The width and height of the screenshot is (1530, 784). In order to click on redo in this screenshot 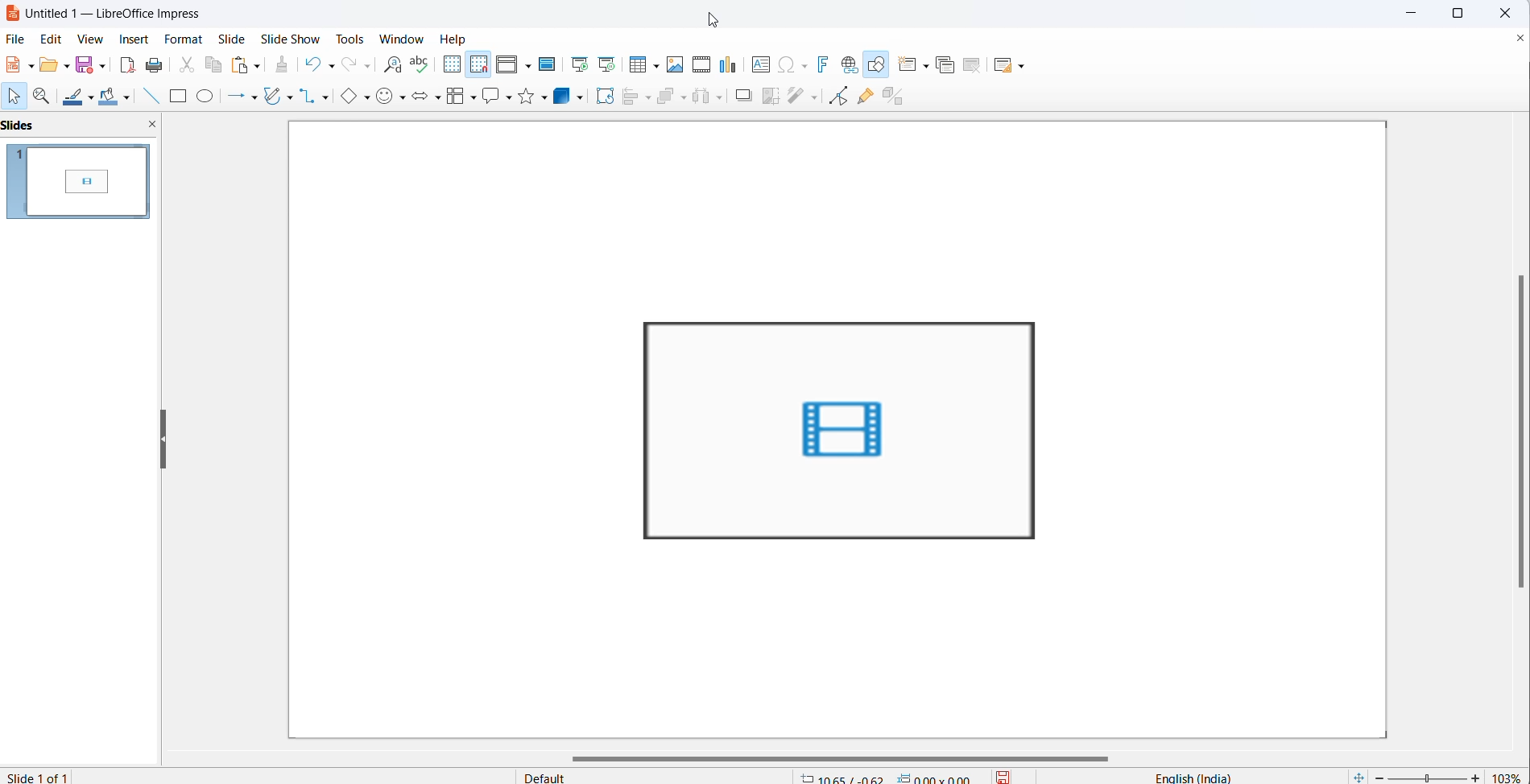, I will do `click(349, 65)`.